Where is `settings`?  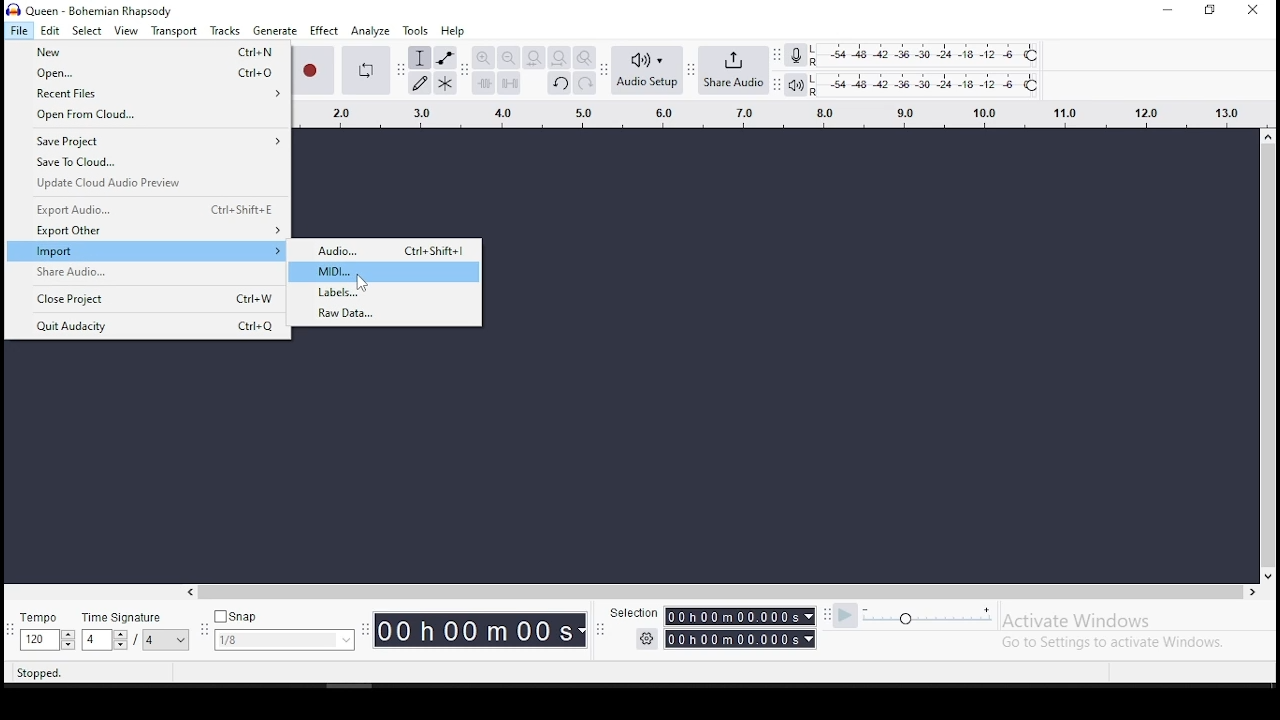 settings is located at coordinates (646, 639).